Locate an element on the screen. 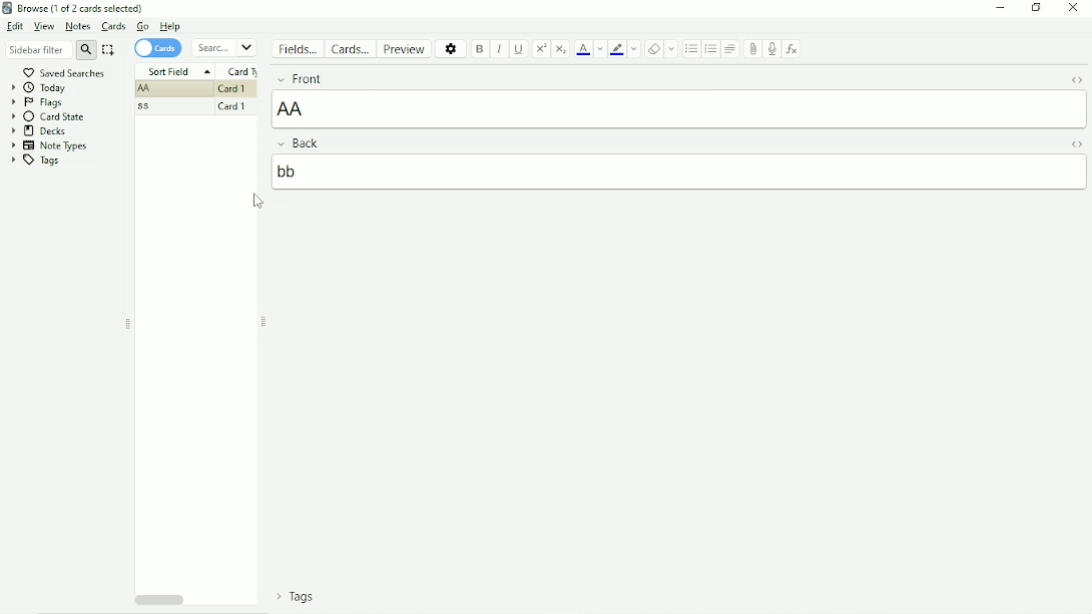 The image size is (1092, 614). Fields is located at coordinates (297, 47).